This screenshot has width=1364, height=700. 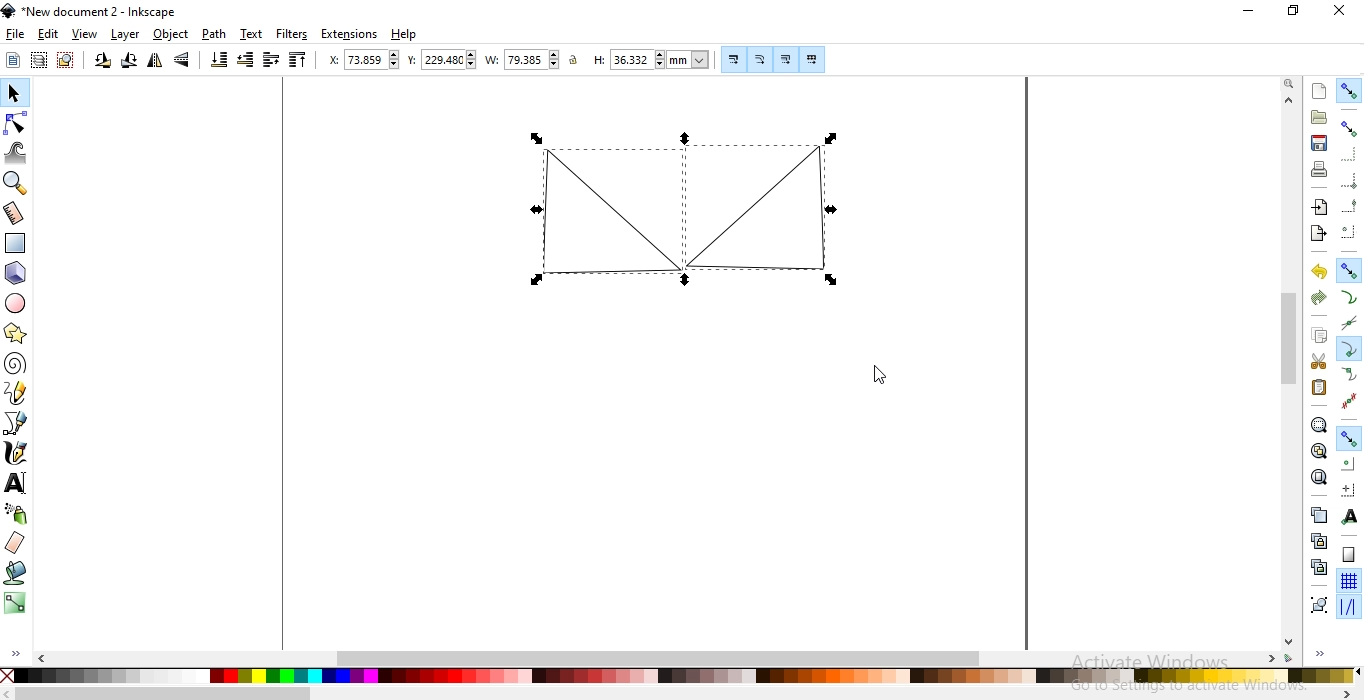 I want to click on create and edit gradients, so click(x=15, y=604).